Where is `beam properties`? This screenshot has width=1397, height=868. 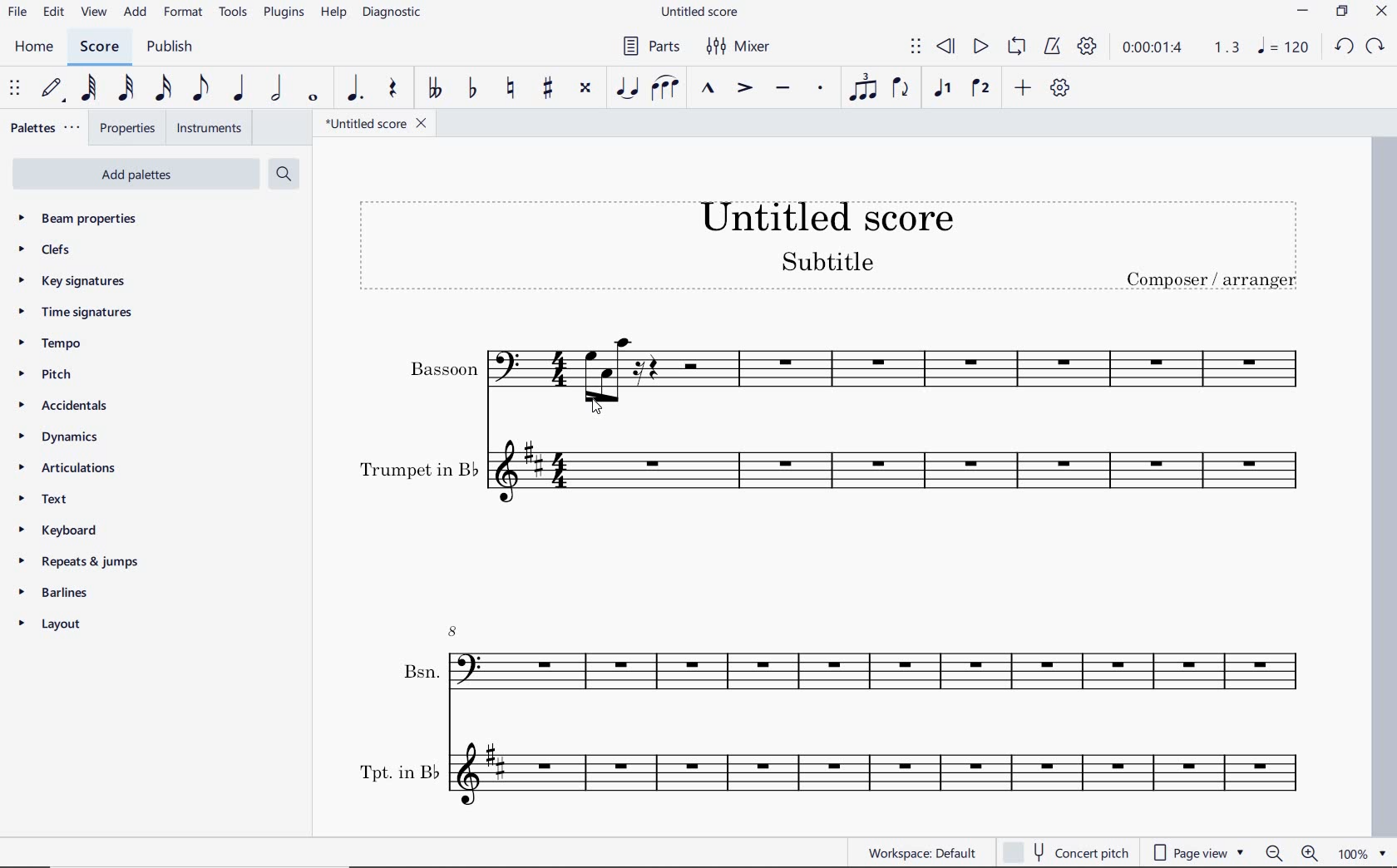
beam properties is located at coordinates (88, 218).